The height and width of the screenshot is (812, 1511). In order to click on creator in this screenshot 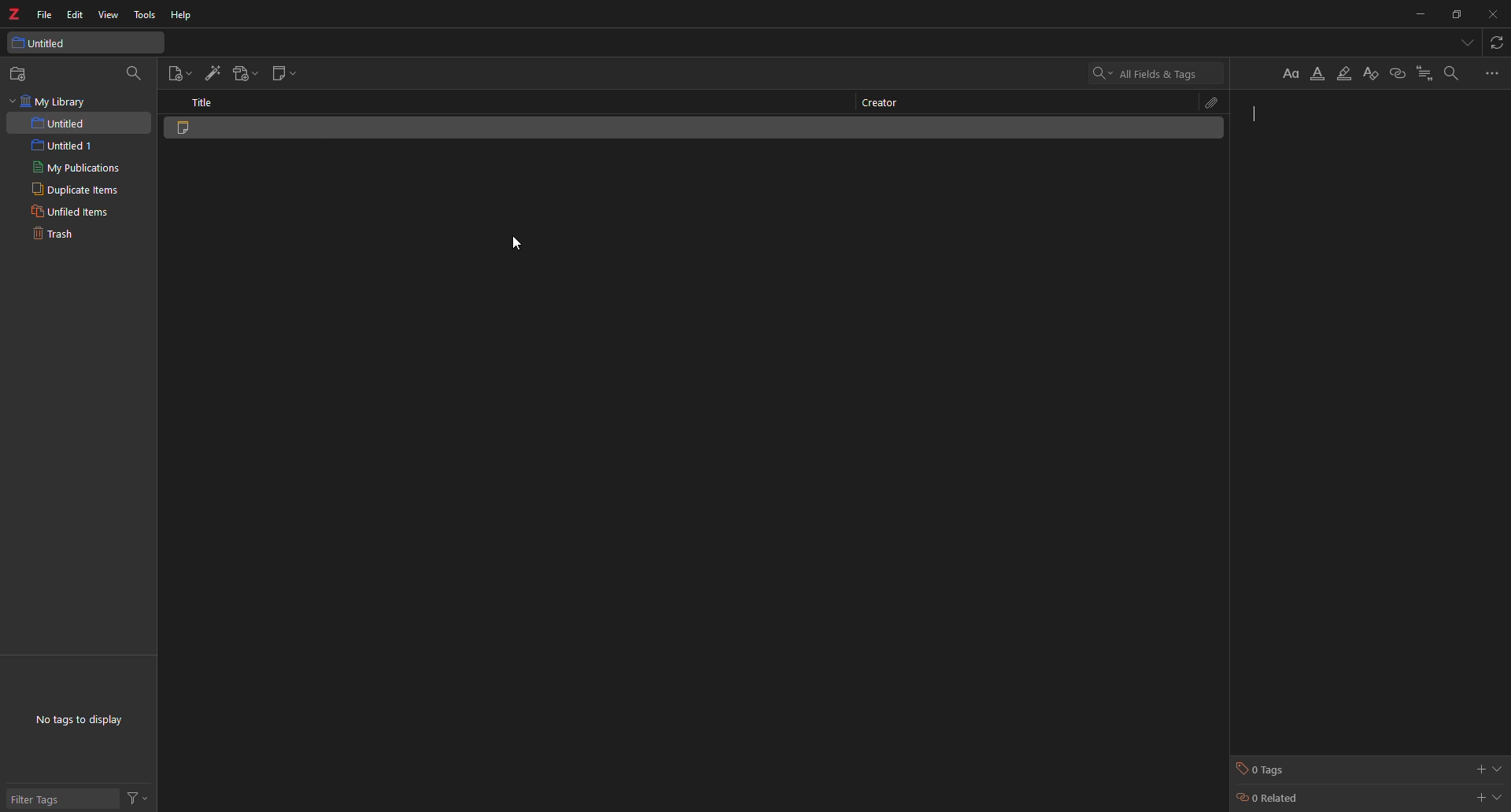, I will do `click(888, 102)`.